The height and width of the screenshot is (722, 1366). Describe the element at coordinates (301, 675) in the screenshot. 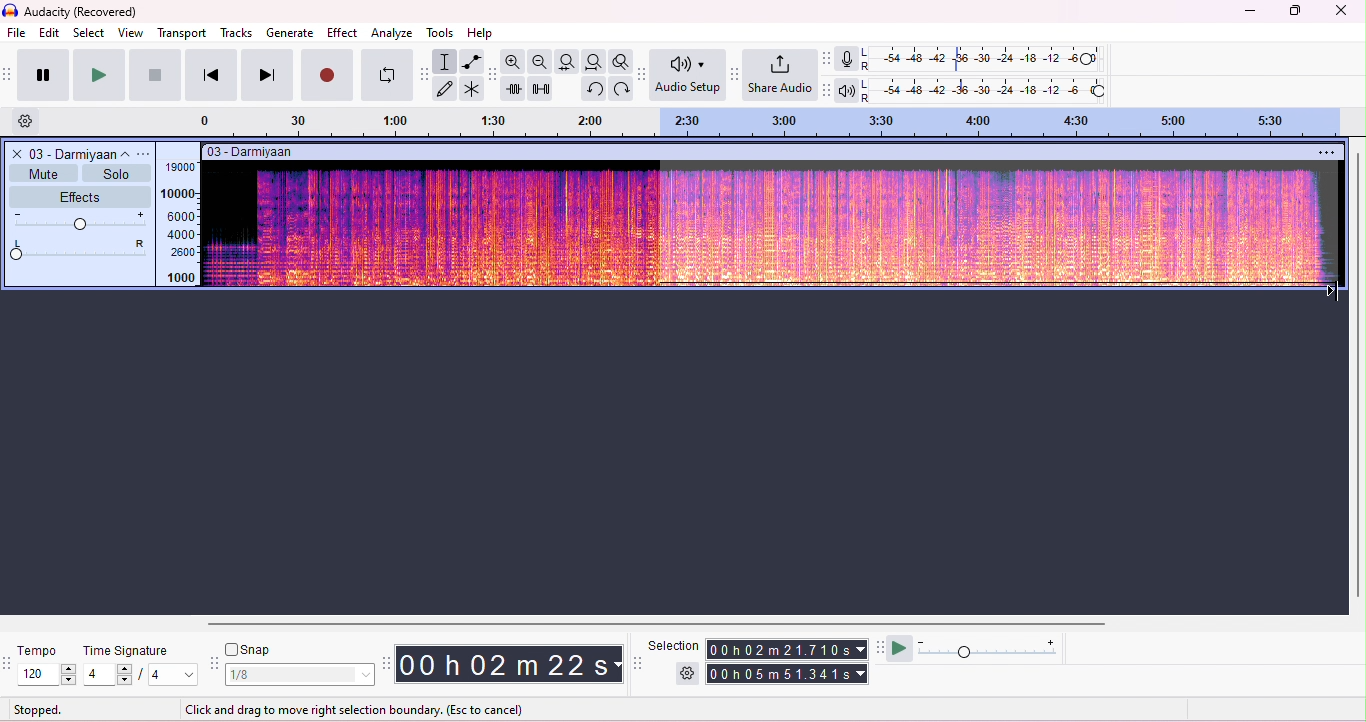

I see `select snap` at that location.